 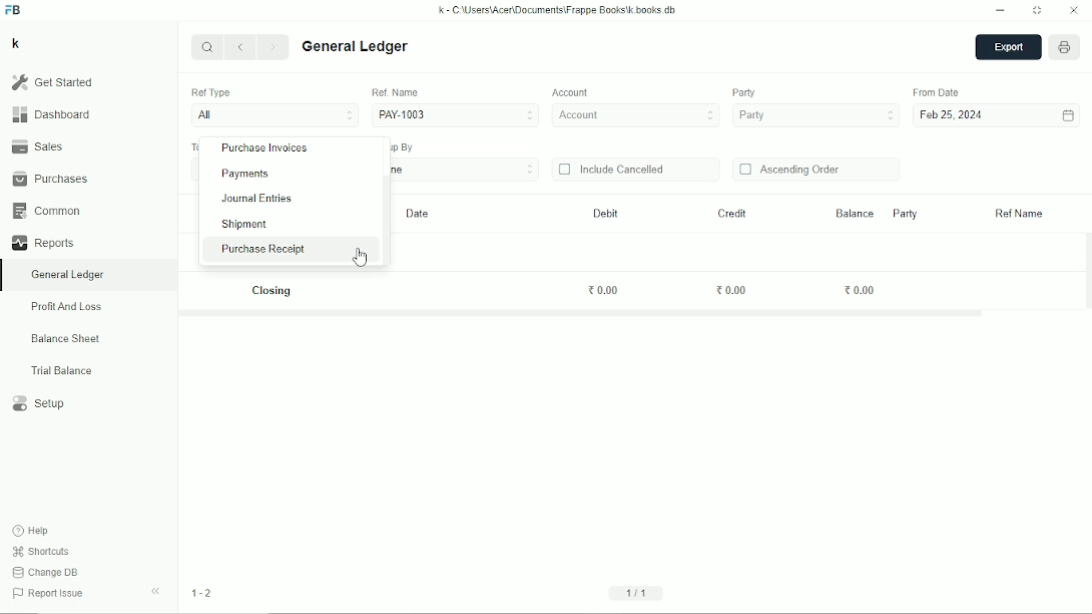 I want to click on Purchase invoices, so click(x=265, y=149).